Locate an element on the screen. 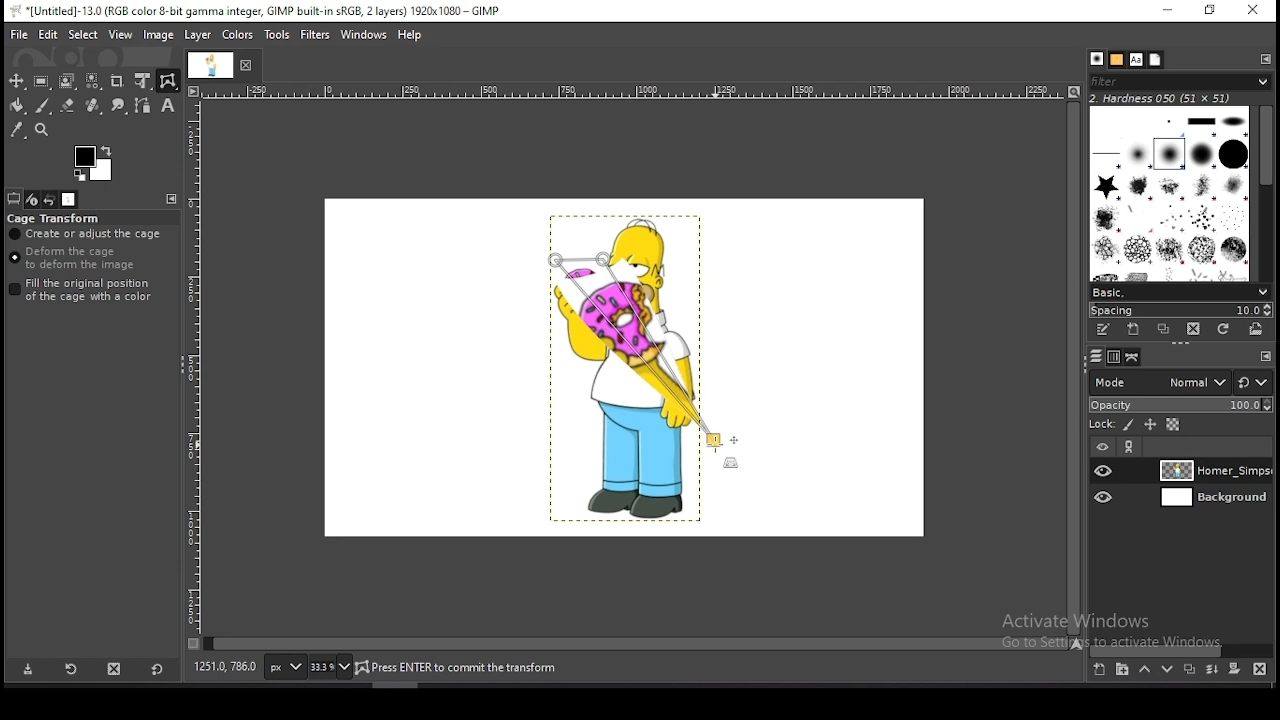 The height and width of the screenshot is (720, 1280). text tool is located at coordinates (167, 106).